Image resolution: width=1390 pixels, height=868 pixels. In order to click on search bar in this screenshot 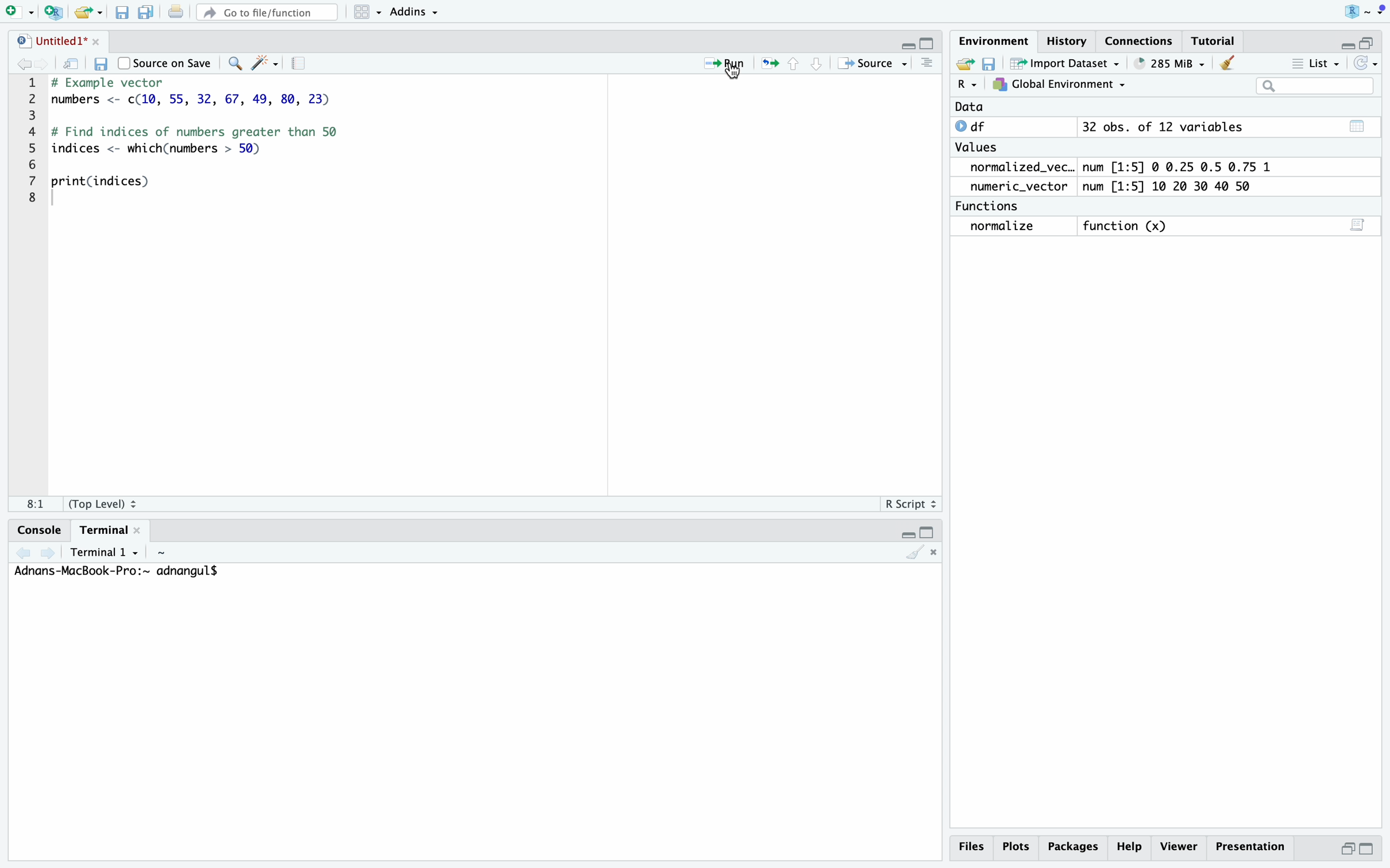, I will do `click(1311, 85)`.